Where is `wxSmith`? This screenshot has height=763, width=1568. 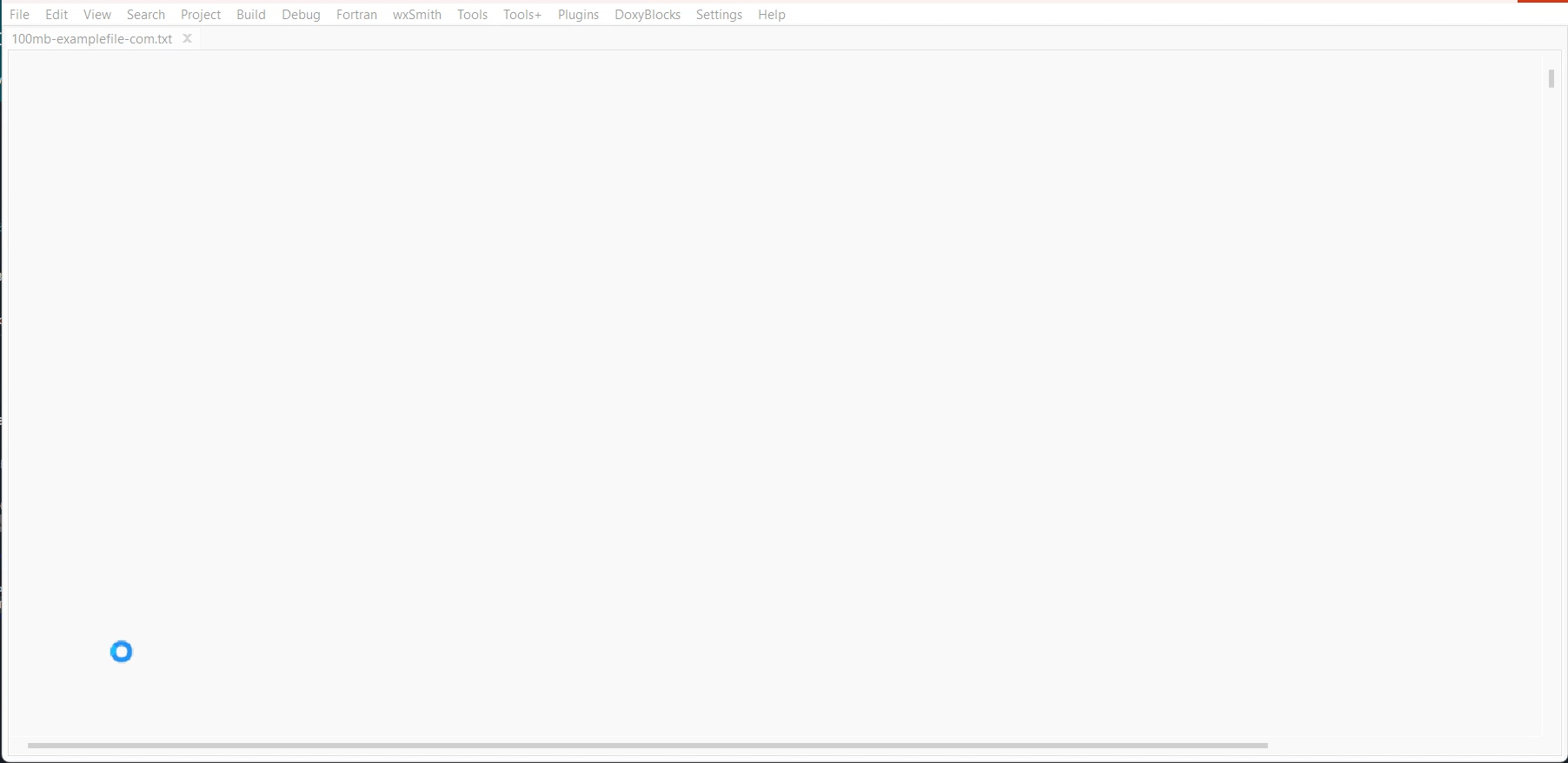
wxSmith is located at coordinates (417, 16).